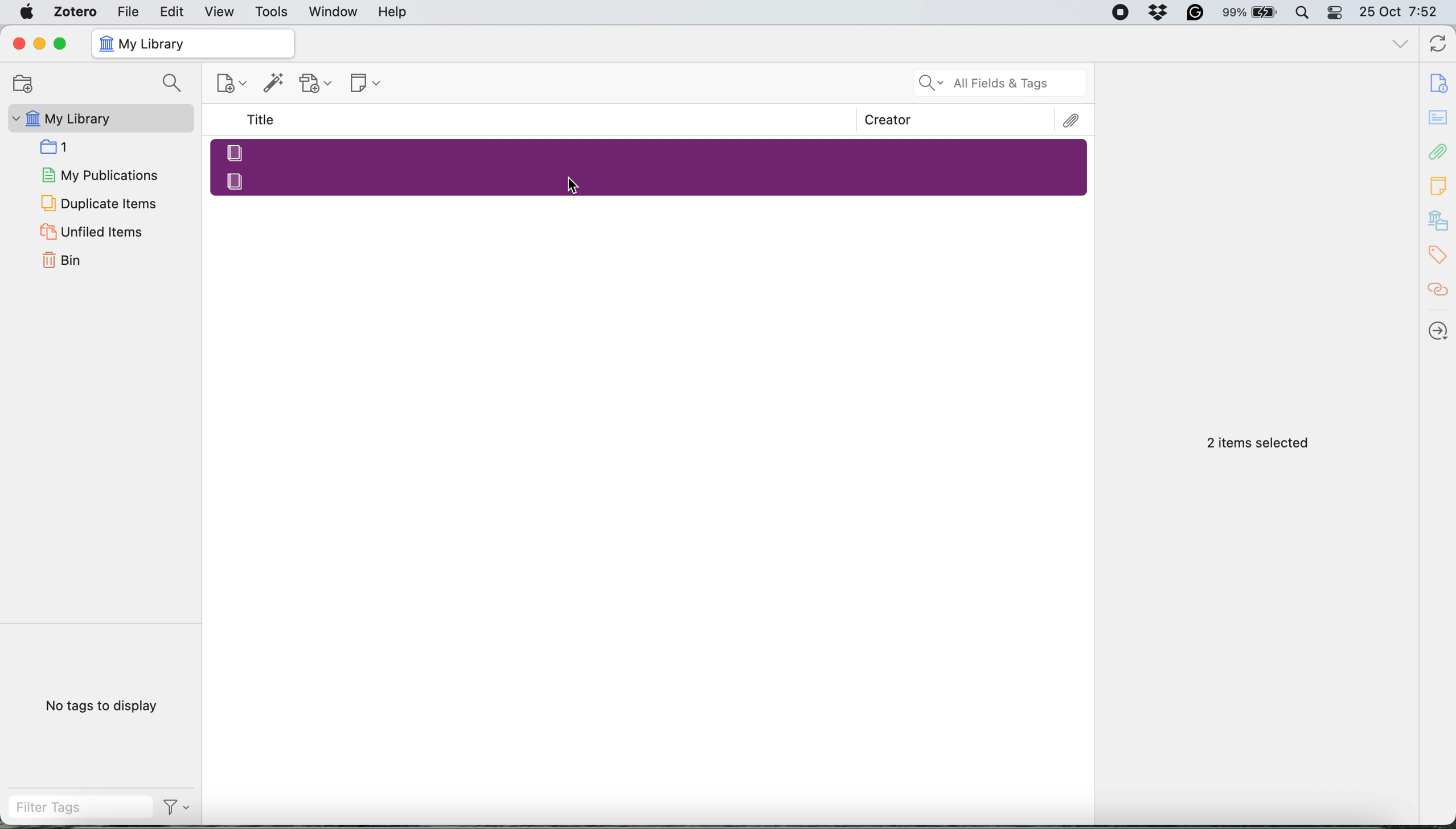 The height and width of the screenshot is (829, 1456). Describe the element at coordinates (173, 11) in the screenshot. I see `Edit` at that location.